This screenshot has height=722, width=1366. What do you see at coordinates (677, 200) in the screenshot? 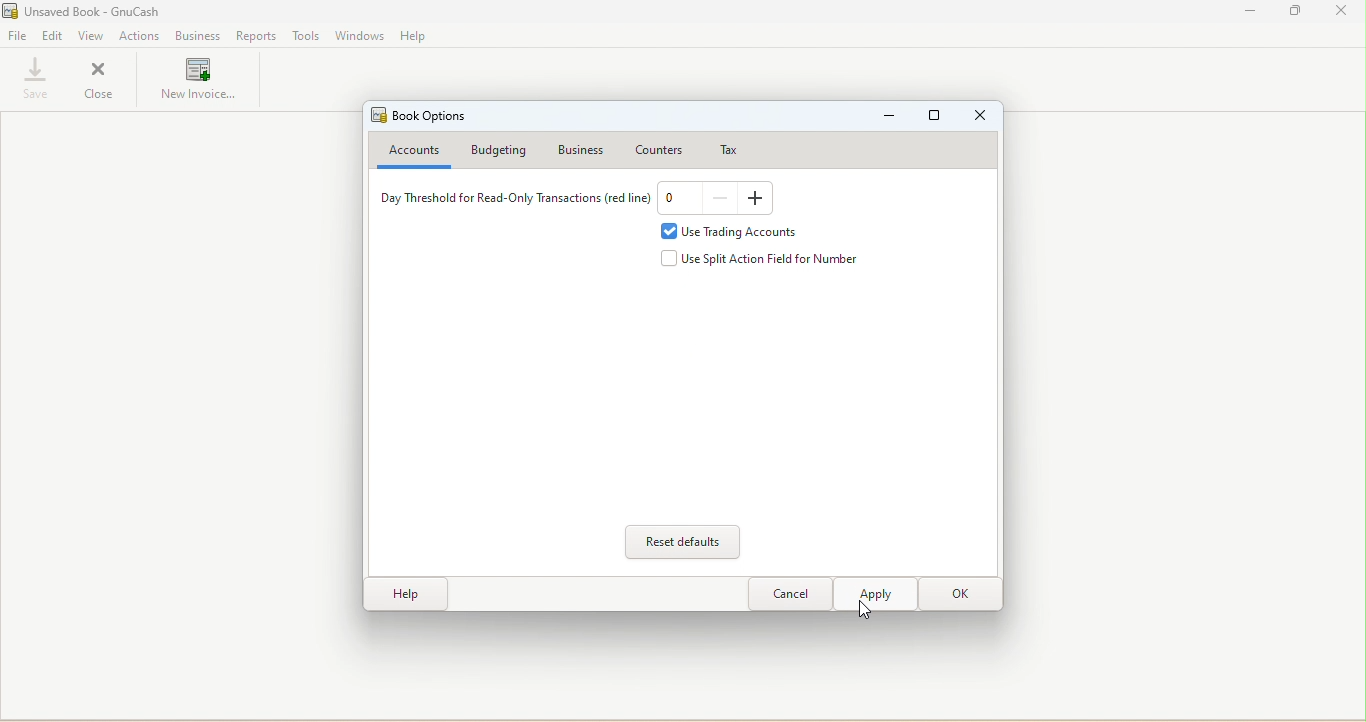
I see `Text box` at bounding box center [677, 200].